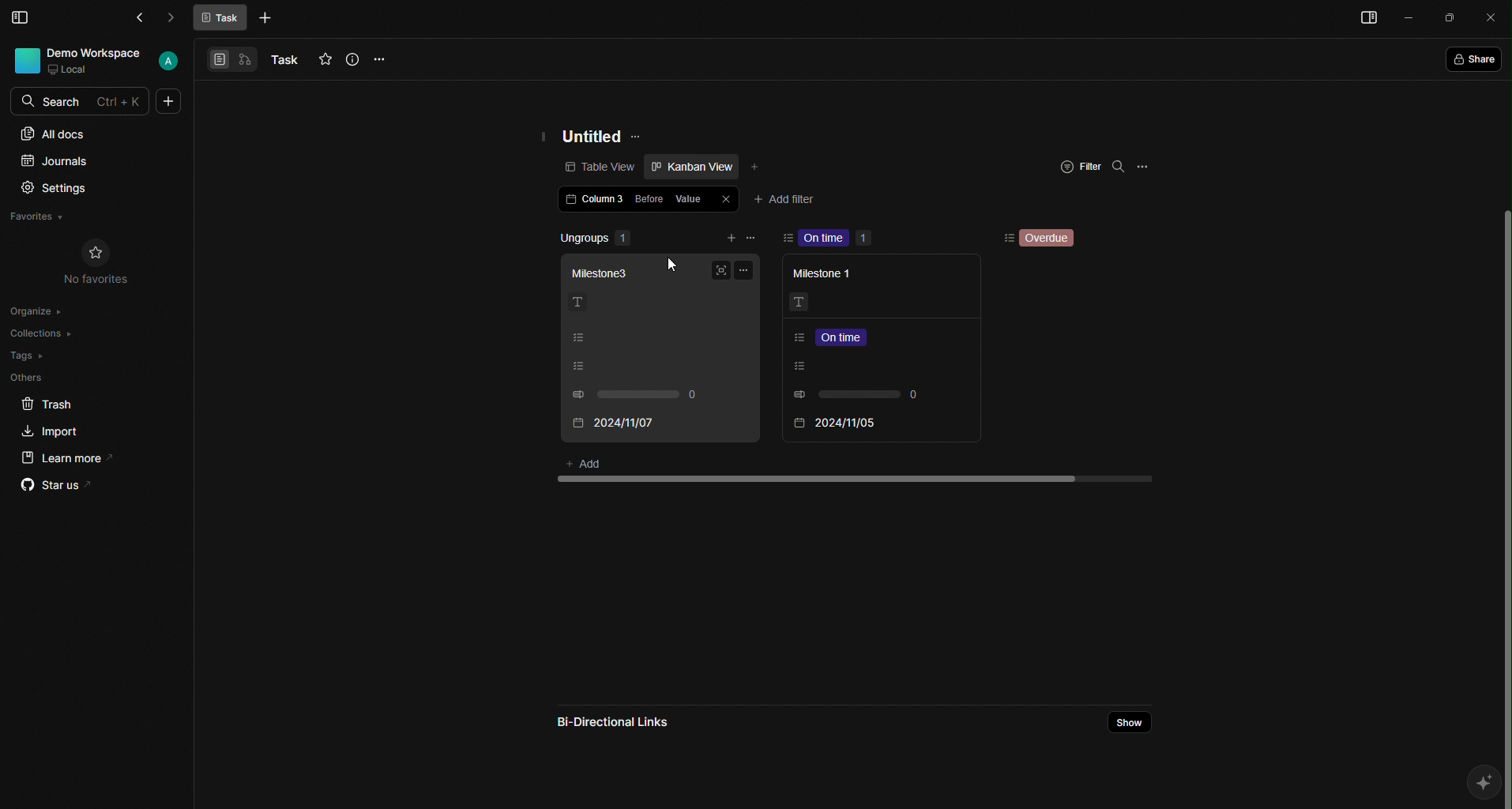  I want to click on Settings, so click(54, 188).